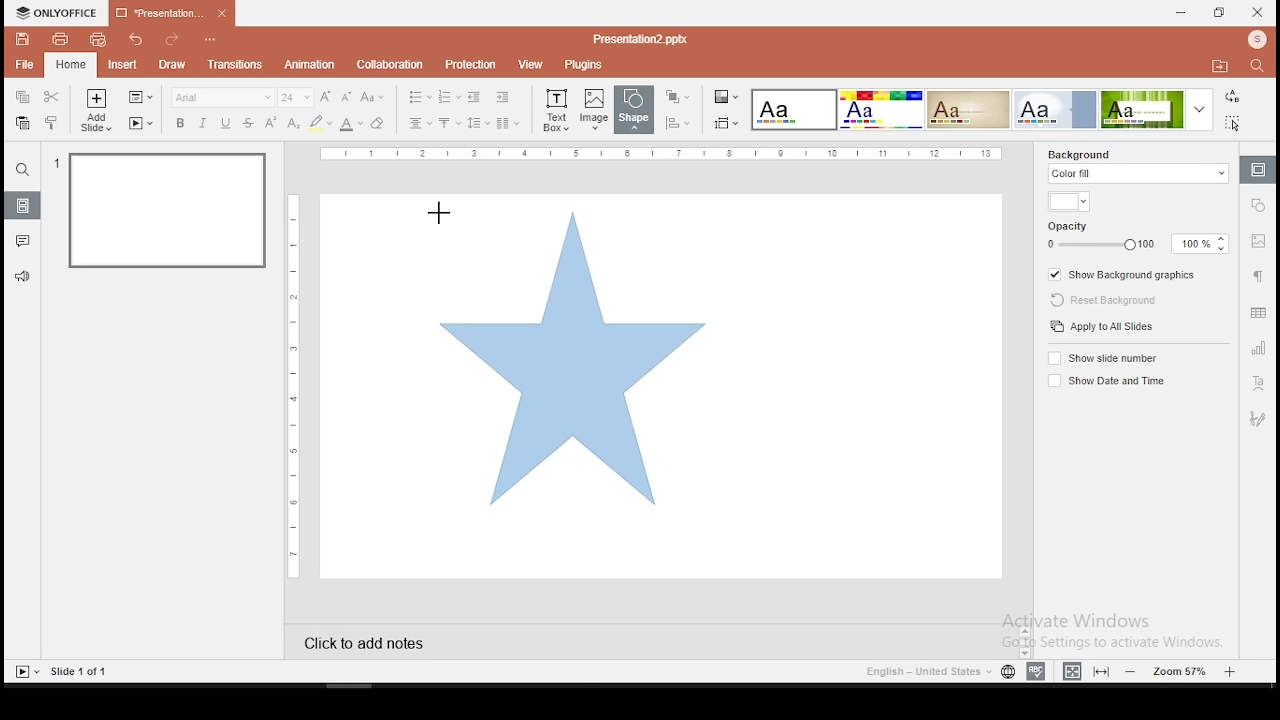  I want to click on bullets, so click(419, 97).